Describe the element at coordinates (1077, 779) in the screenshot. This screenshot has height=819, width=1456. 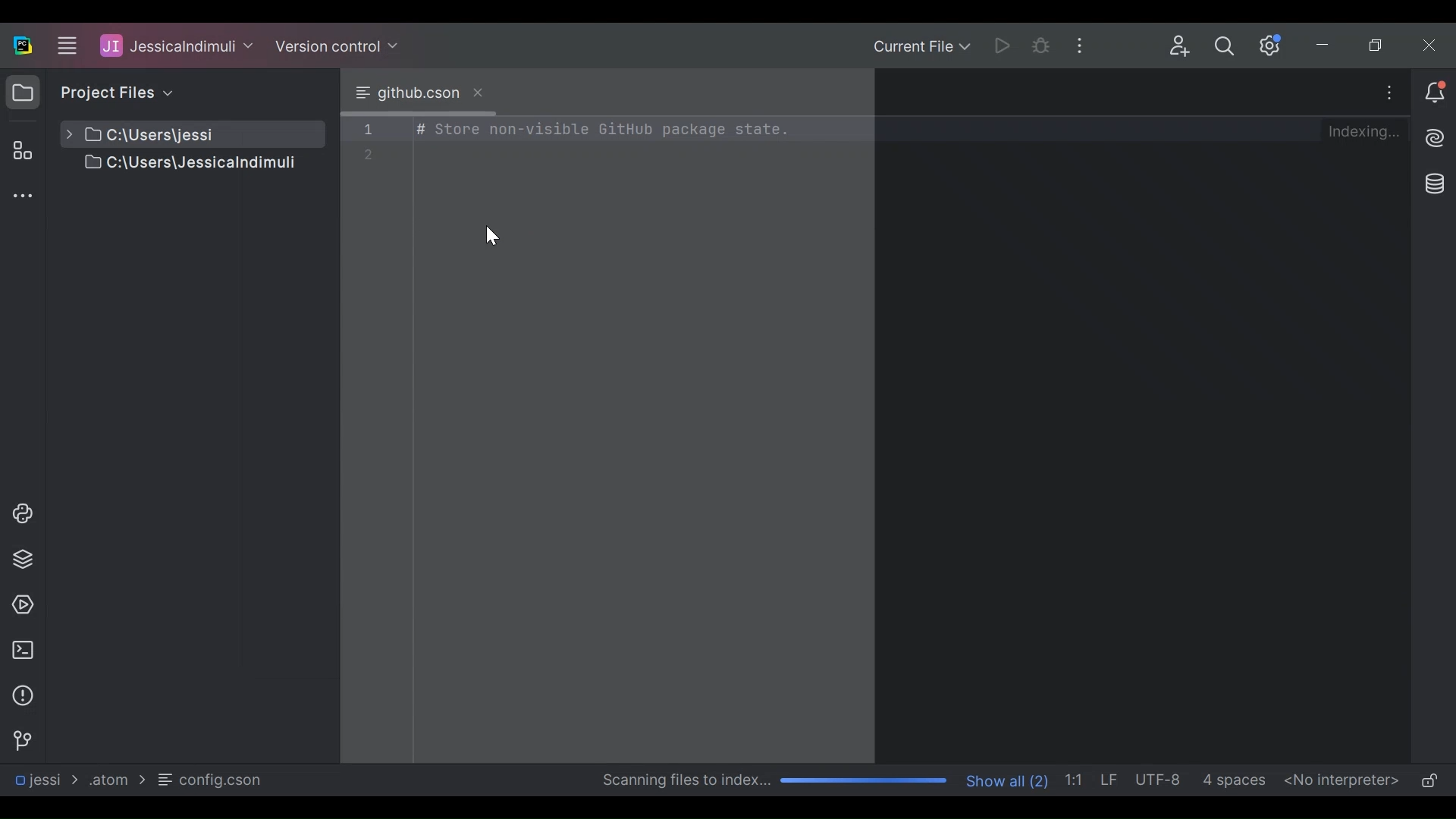
I see `Line Column` at that location.